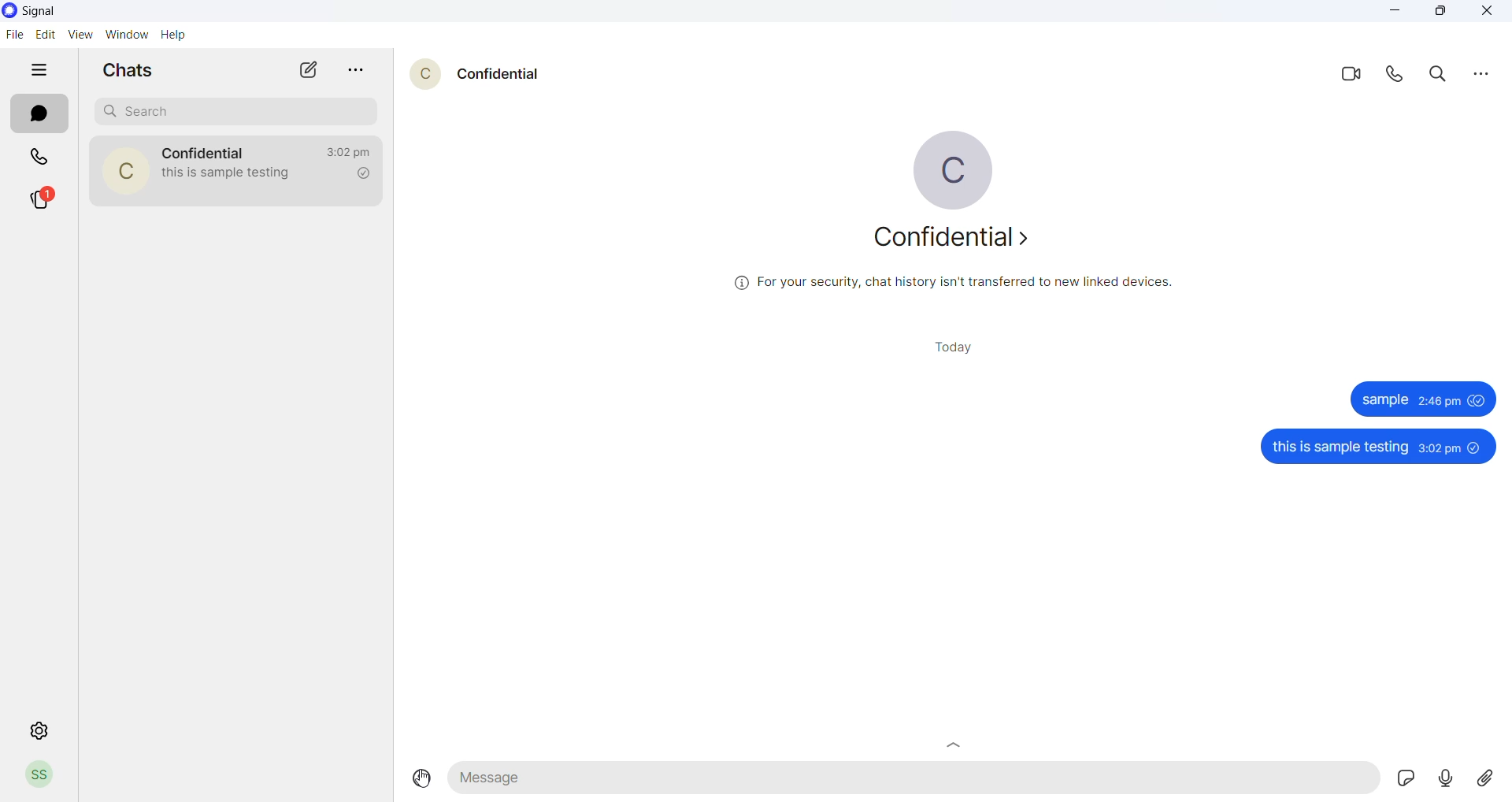 The image size is (1512, 802). Describe the element at coordinates (424, 783) in the screenshot. I see `cursor` at that location.